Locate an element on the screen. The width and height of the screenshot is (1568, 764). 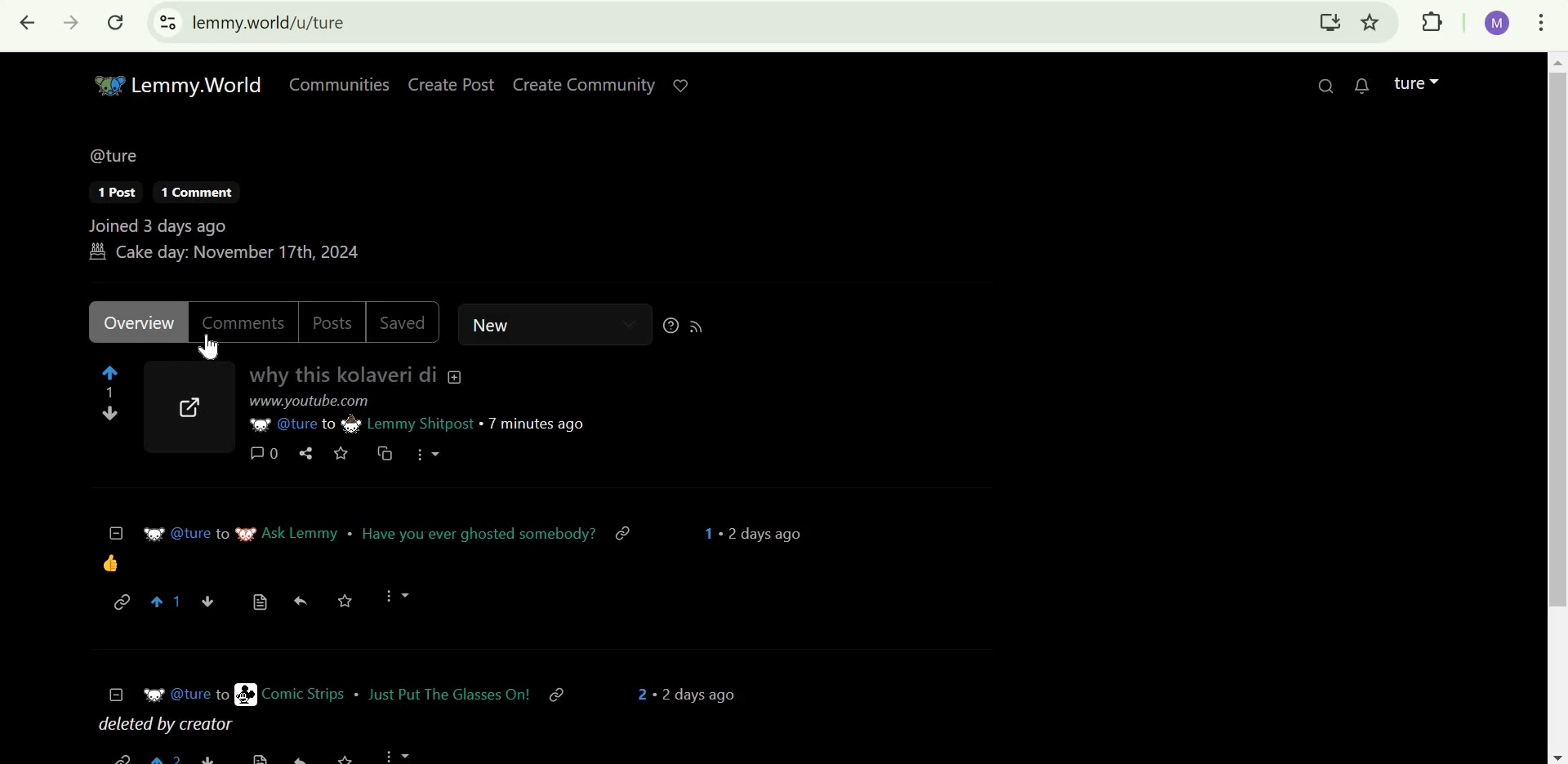
downvote is located at coordinates (110, 414).